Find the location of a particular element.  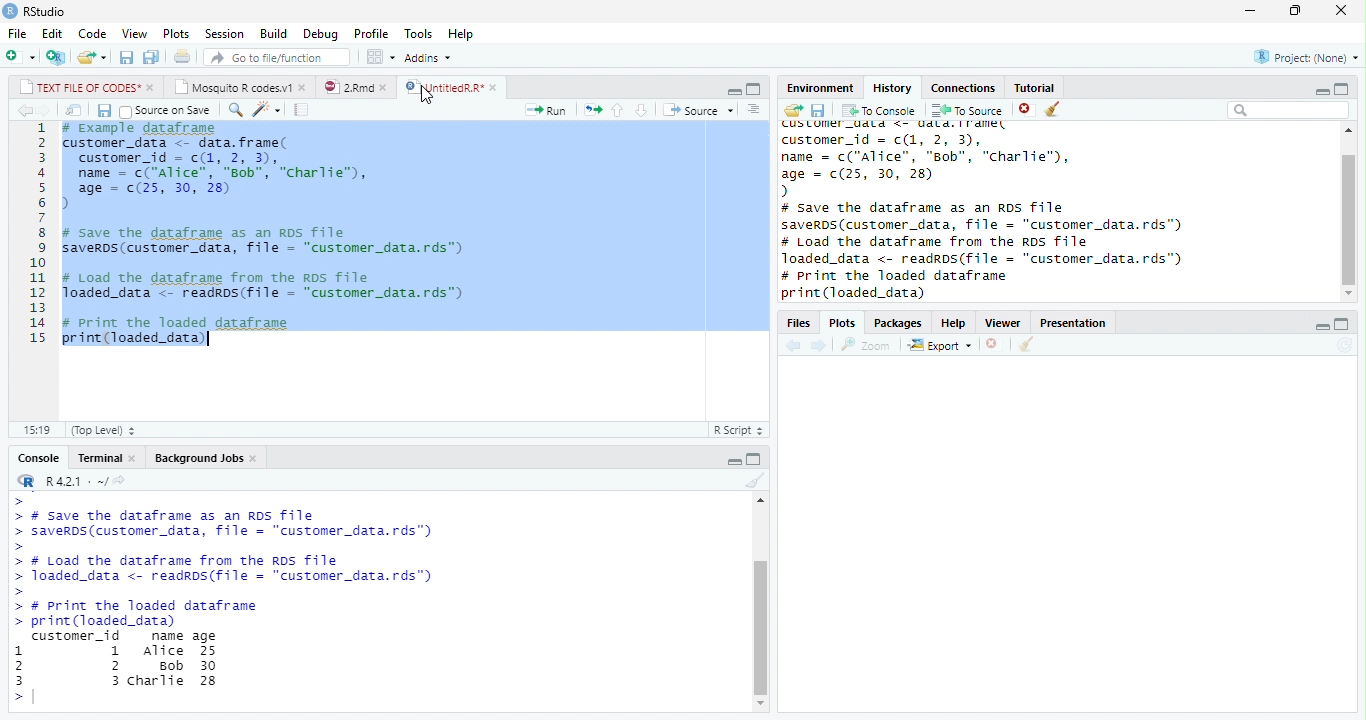

minimize is located at coordinates (734, 462).